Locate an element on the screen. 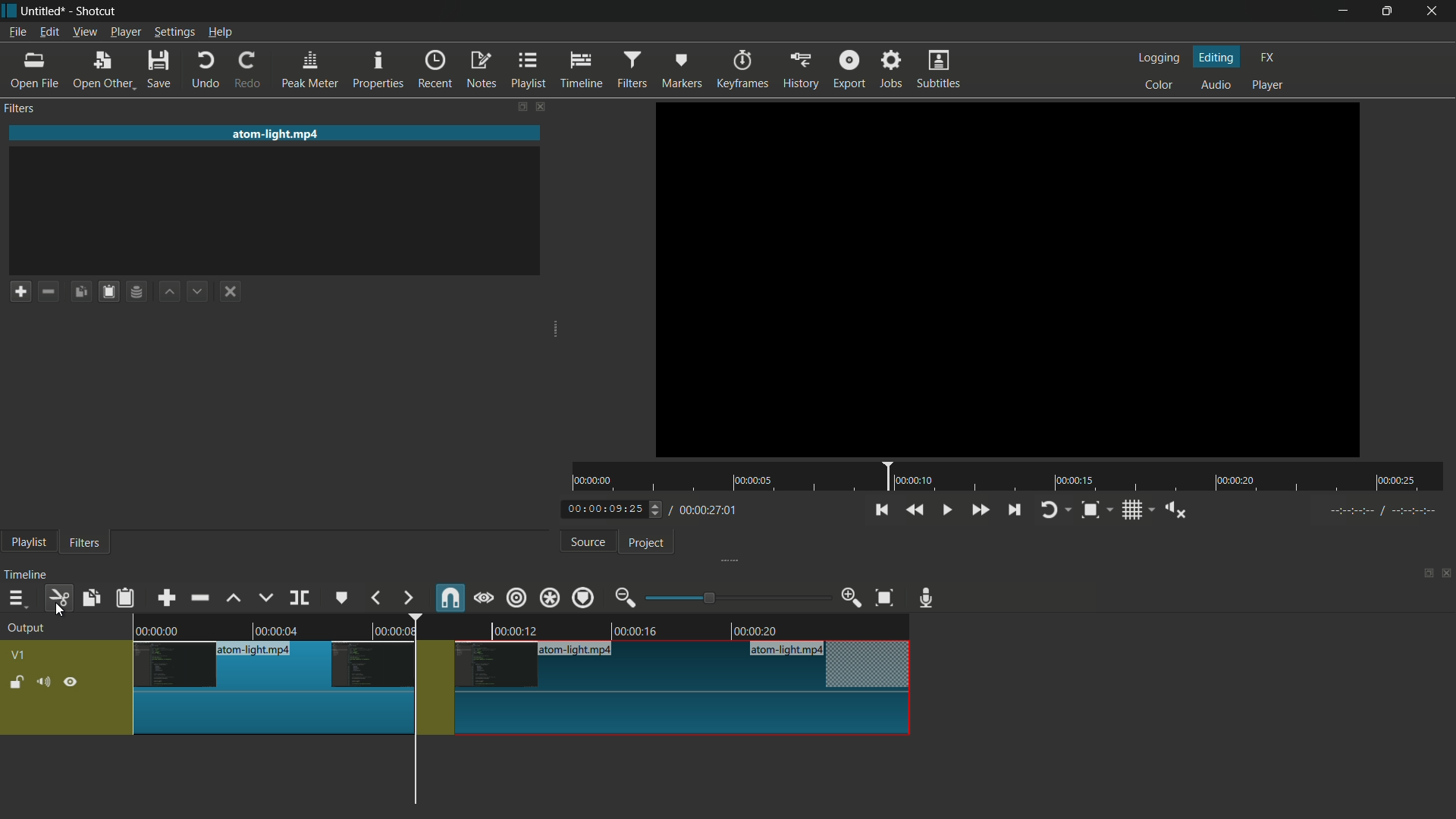 The width and height of the screenshot is (1456, 819). close filter is located at coordinates (539, 105).